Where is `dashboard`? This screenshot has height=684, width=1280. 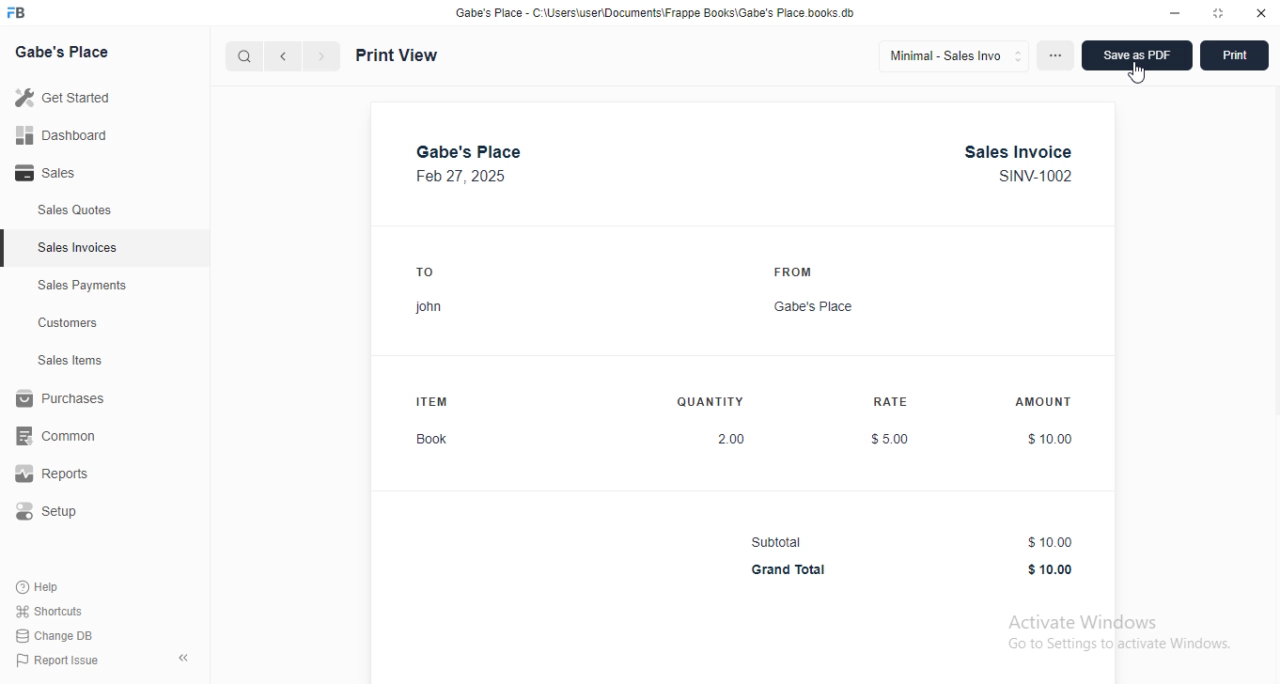 dashboard is located at coordinates (62, 135).